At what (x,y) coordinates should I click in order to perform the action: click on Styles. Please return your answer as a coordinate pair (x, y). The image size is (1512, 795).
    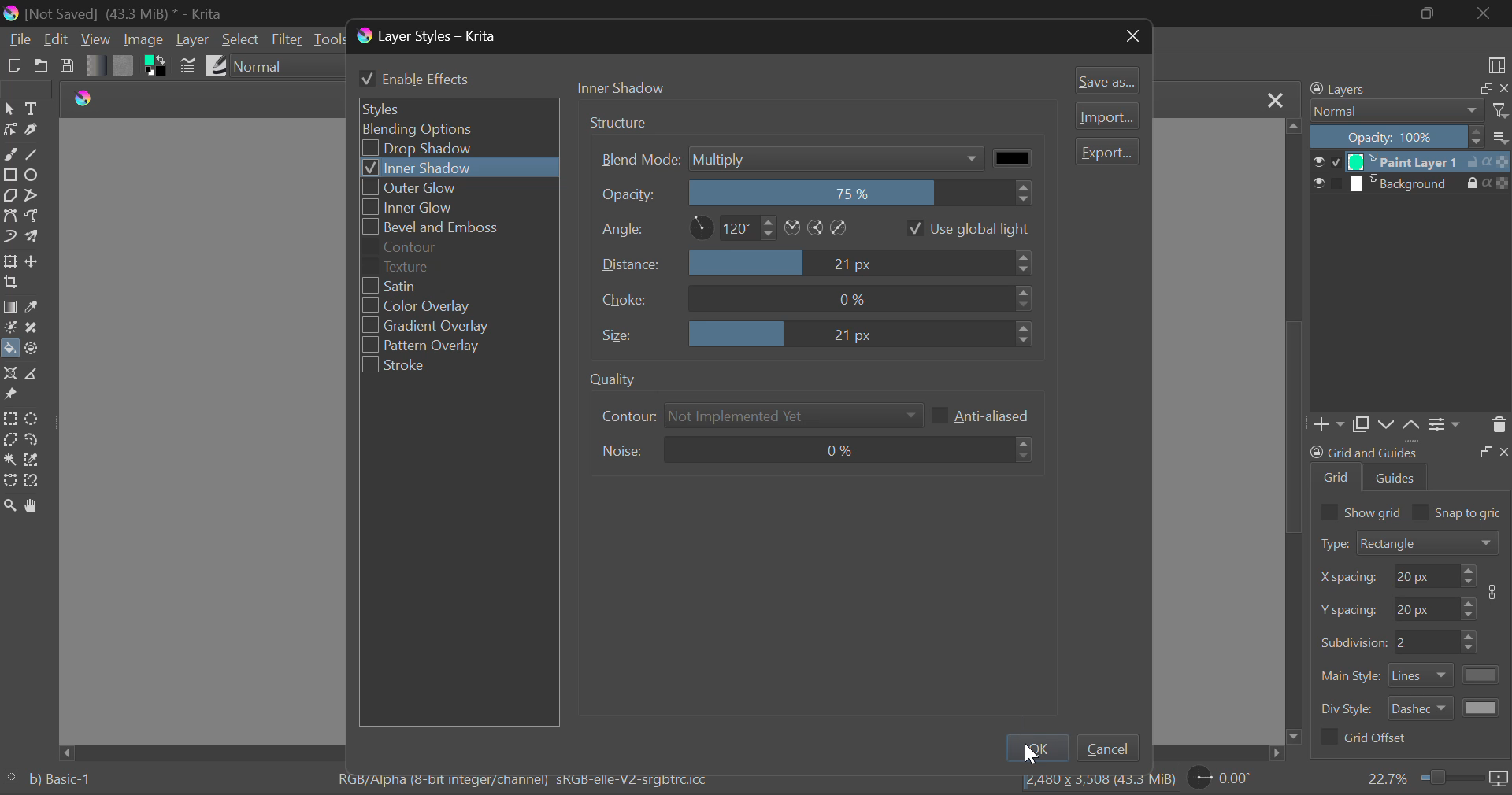
    Looking at the image, I should click on (457, 107).